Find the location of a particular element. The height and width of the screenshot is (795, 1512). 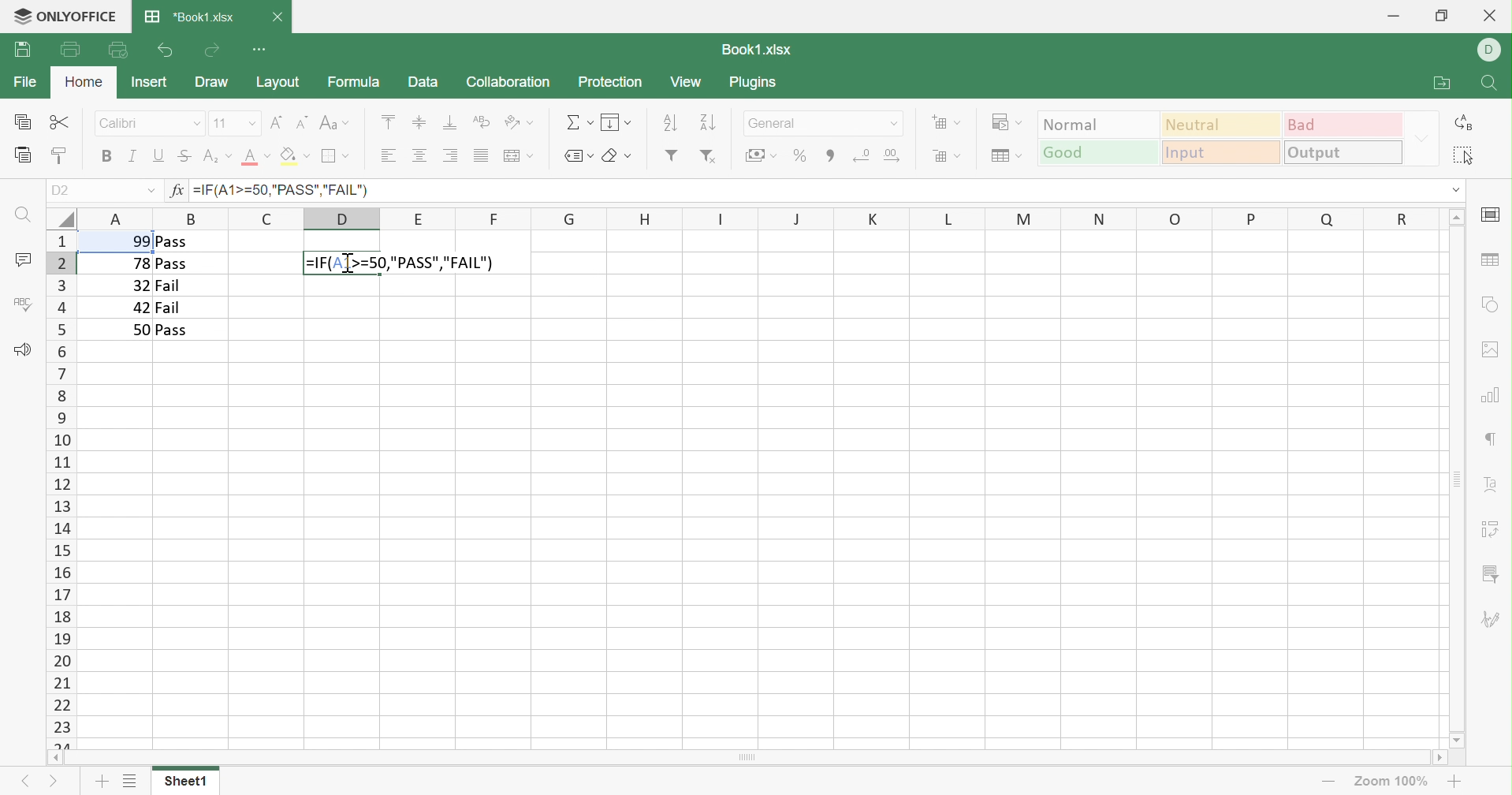

Insert is located at coordinates (148, 81).